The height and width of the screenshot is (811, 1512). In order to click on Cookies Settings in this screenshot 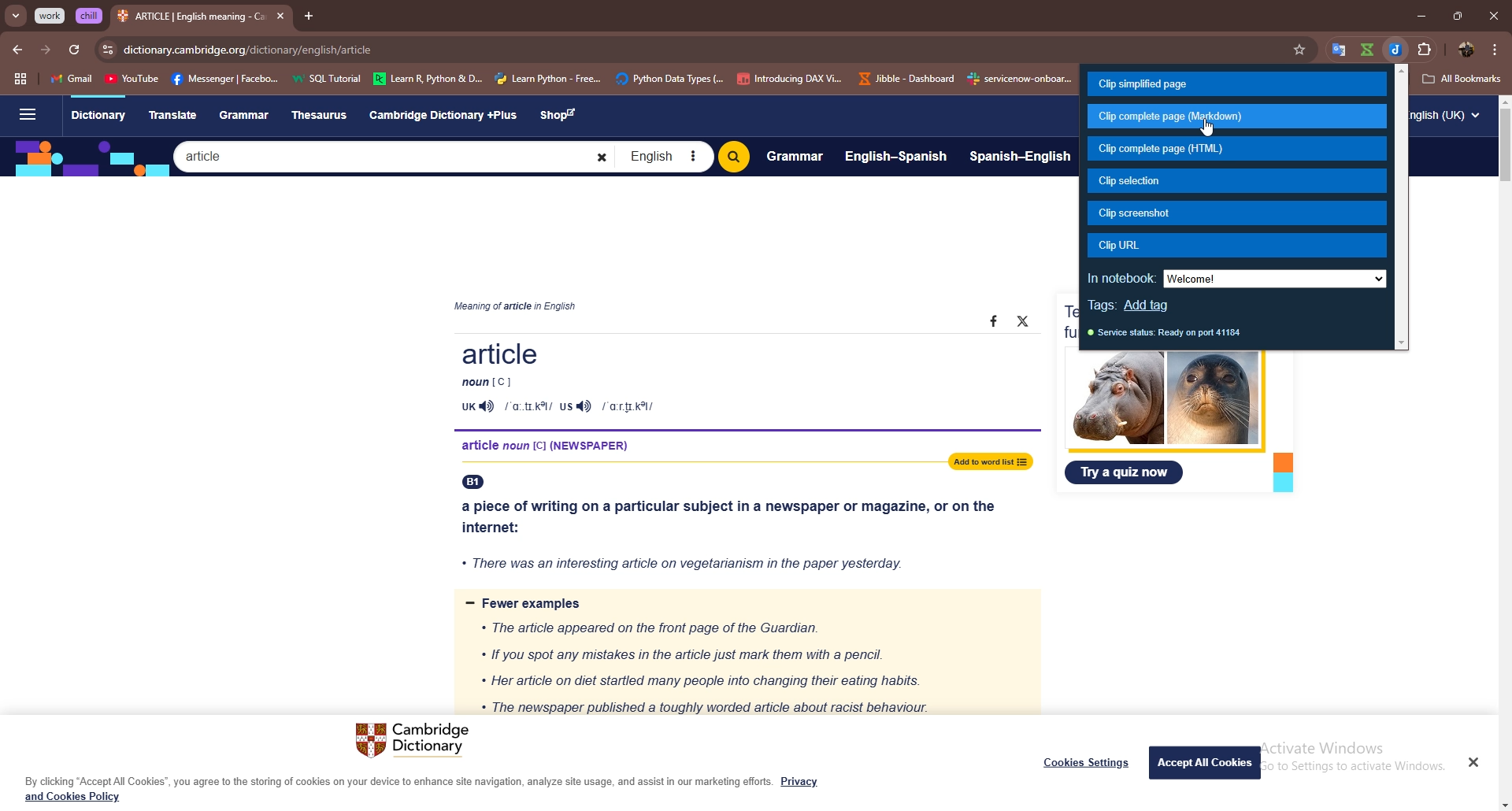, I will do `click(1087, 762)`.